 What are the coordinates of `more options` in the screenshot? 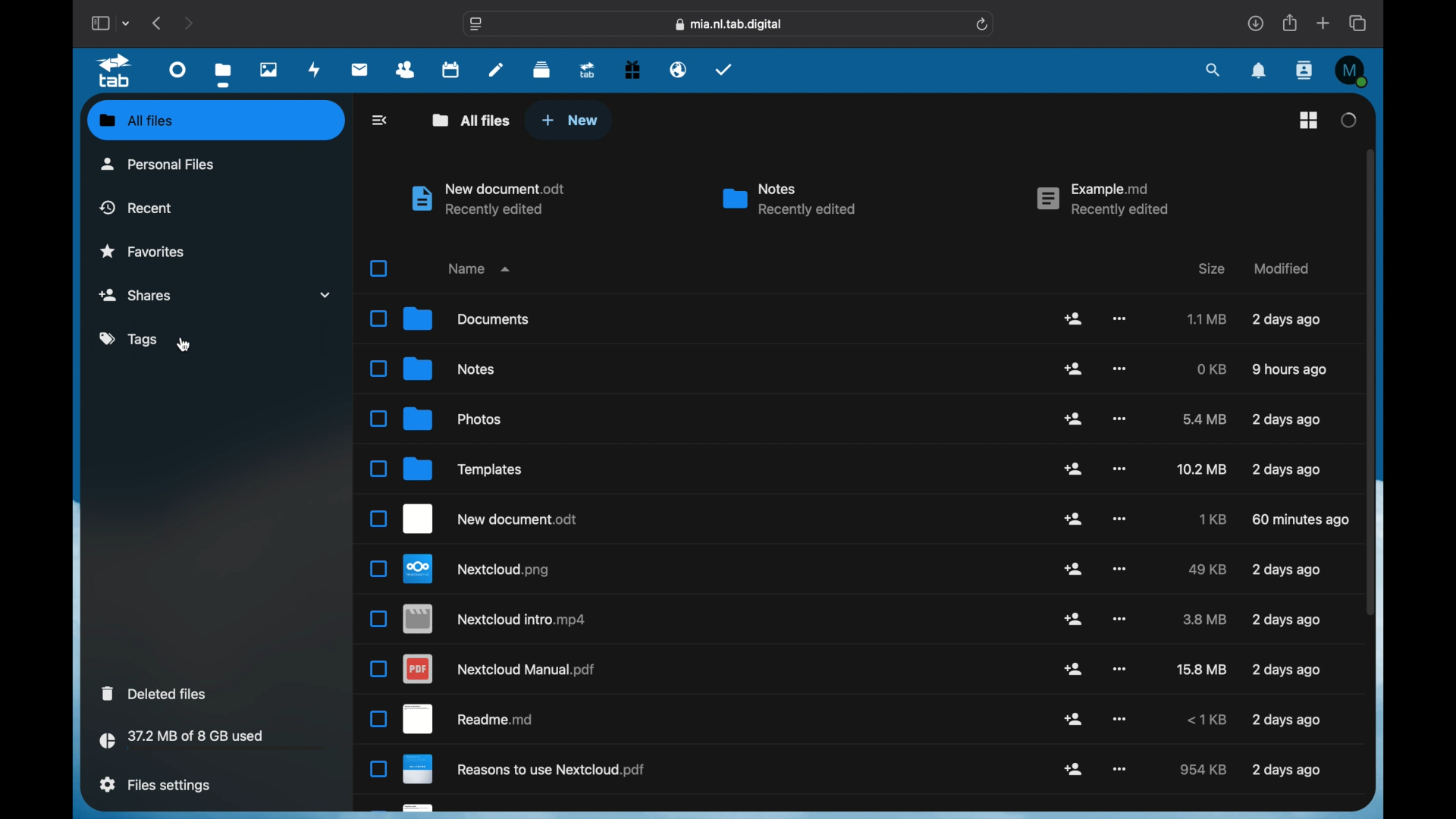 It's located at (1119, 468).